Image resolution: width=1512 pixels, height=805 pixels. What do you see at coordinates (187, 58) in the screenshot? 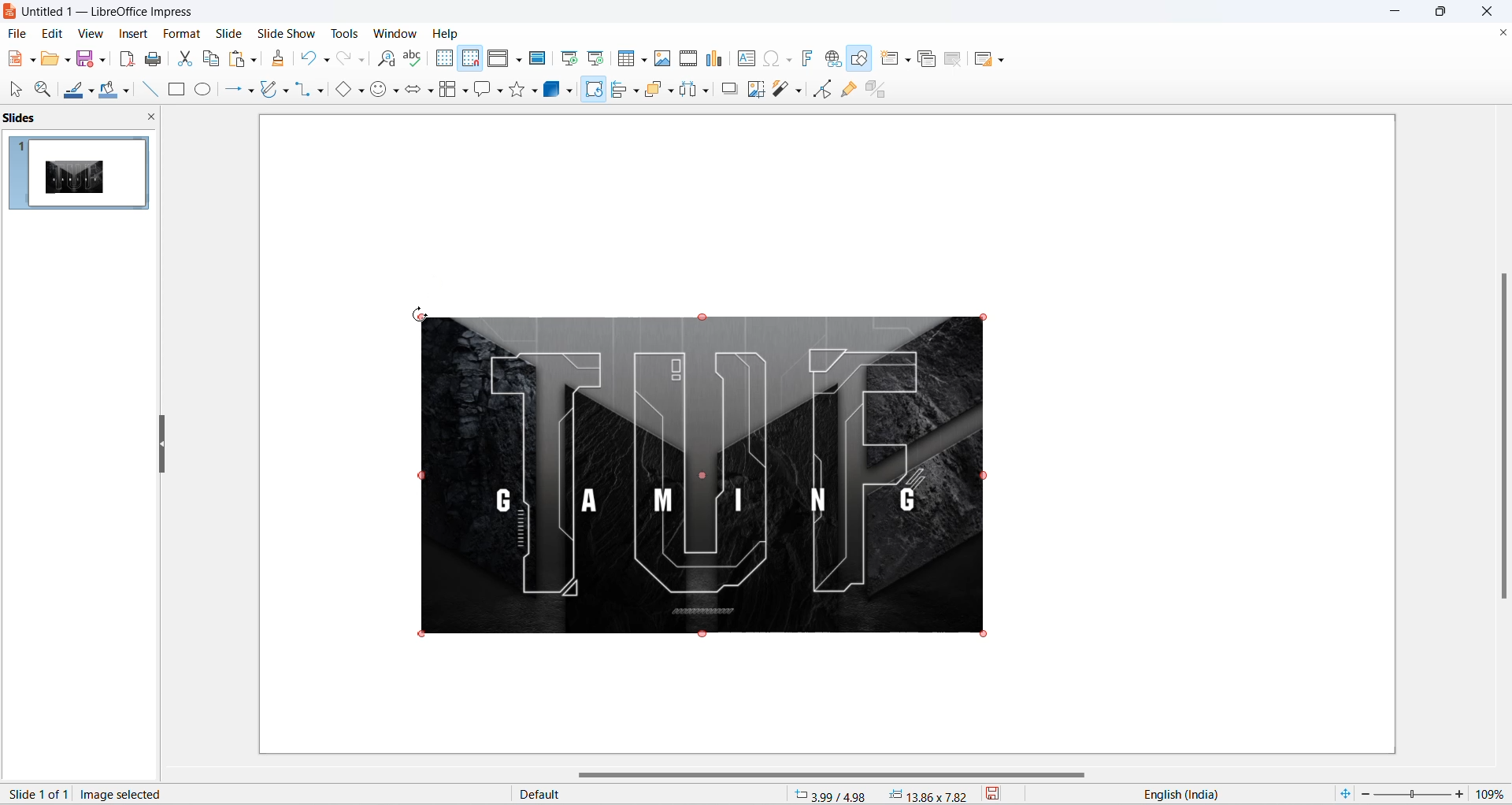
I see `cut` at bounding box center [187, 58].